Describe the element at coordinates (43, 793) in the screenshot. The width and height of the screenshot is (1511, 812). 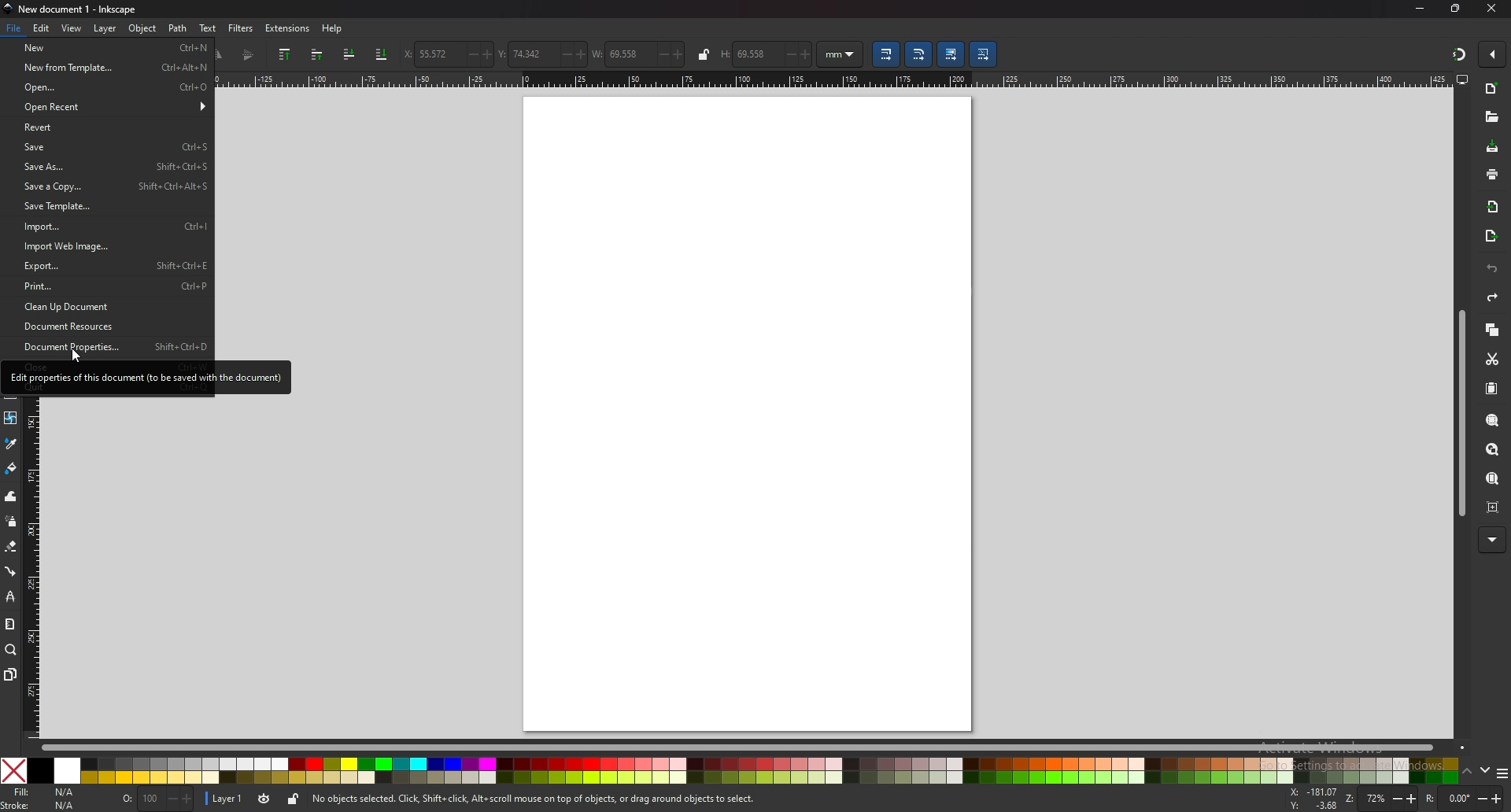
I see `fill` at that location.